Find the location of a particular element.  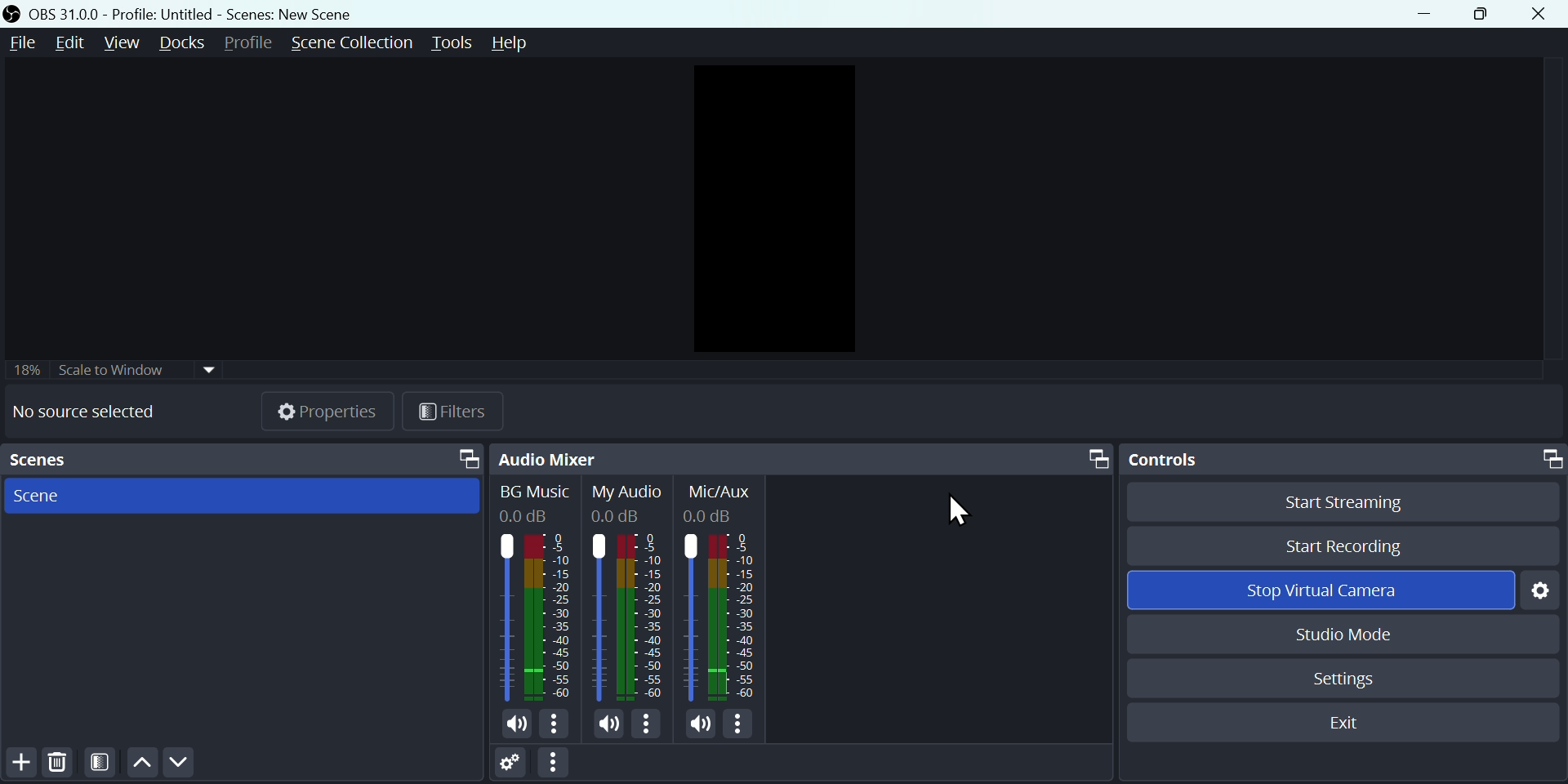

Settings is located at coordinates (1350, 677).